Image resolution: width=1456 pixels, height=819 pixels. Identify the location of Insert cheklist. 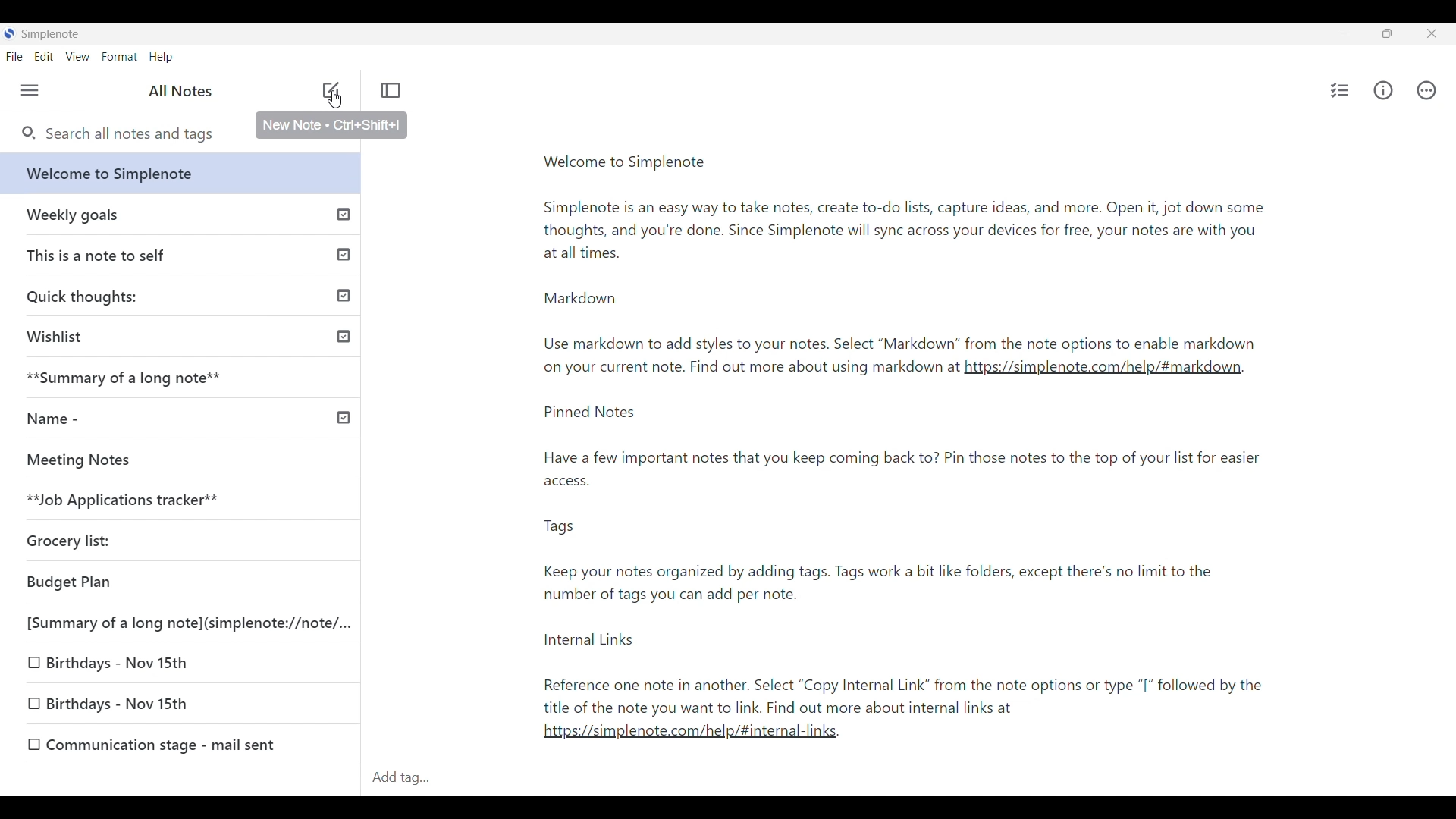
(1339, 90).